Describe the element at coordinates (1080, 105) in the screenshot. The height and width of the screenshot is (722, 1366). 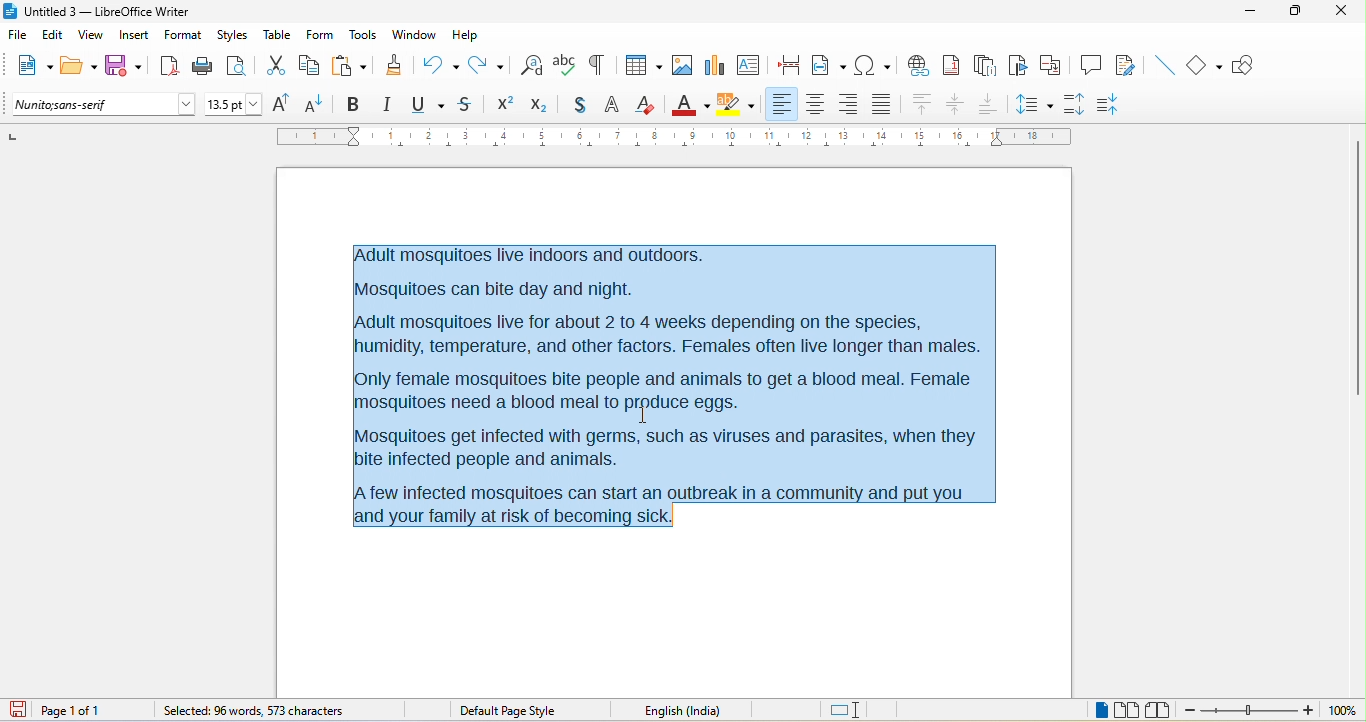
I see `increase paragraph spacing` at that location.